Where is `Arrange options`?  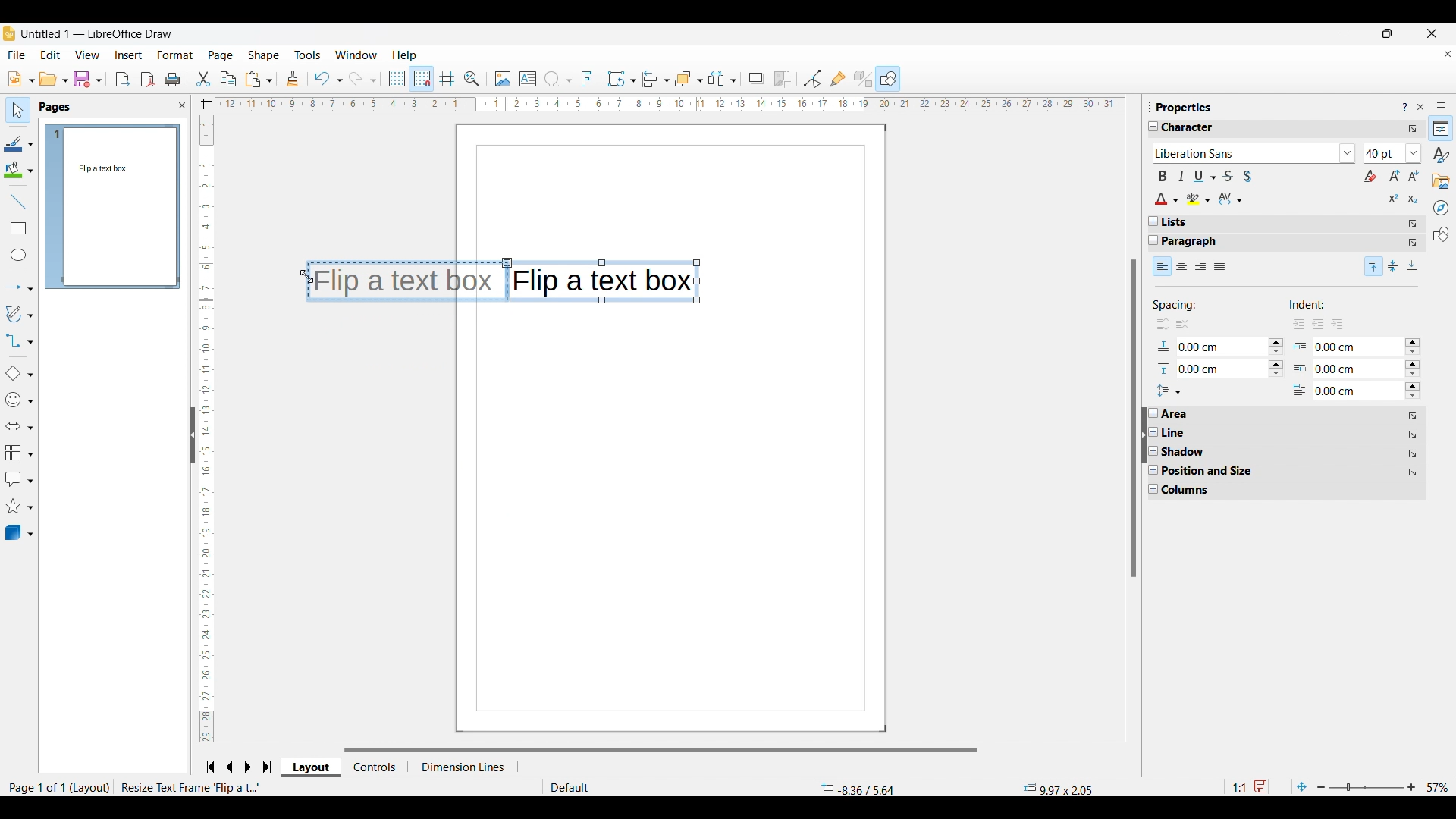
Arrange options is located at coordinates (689, 80).